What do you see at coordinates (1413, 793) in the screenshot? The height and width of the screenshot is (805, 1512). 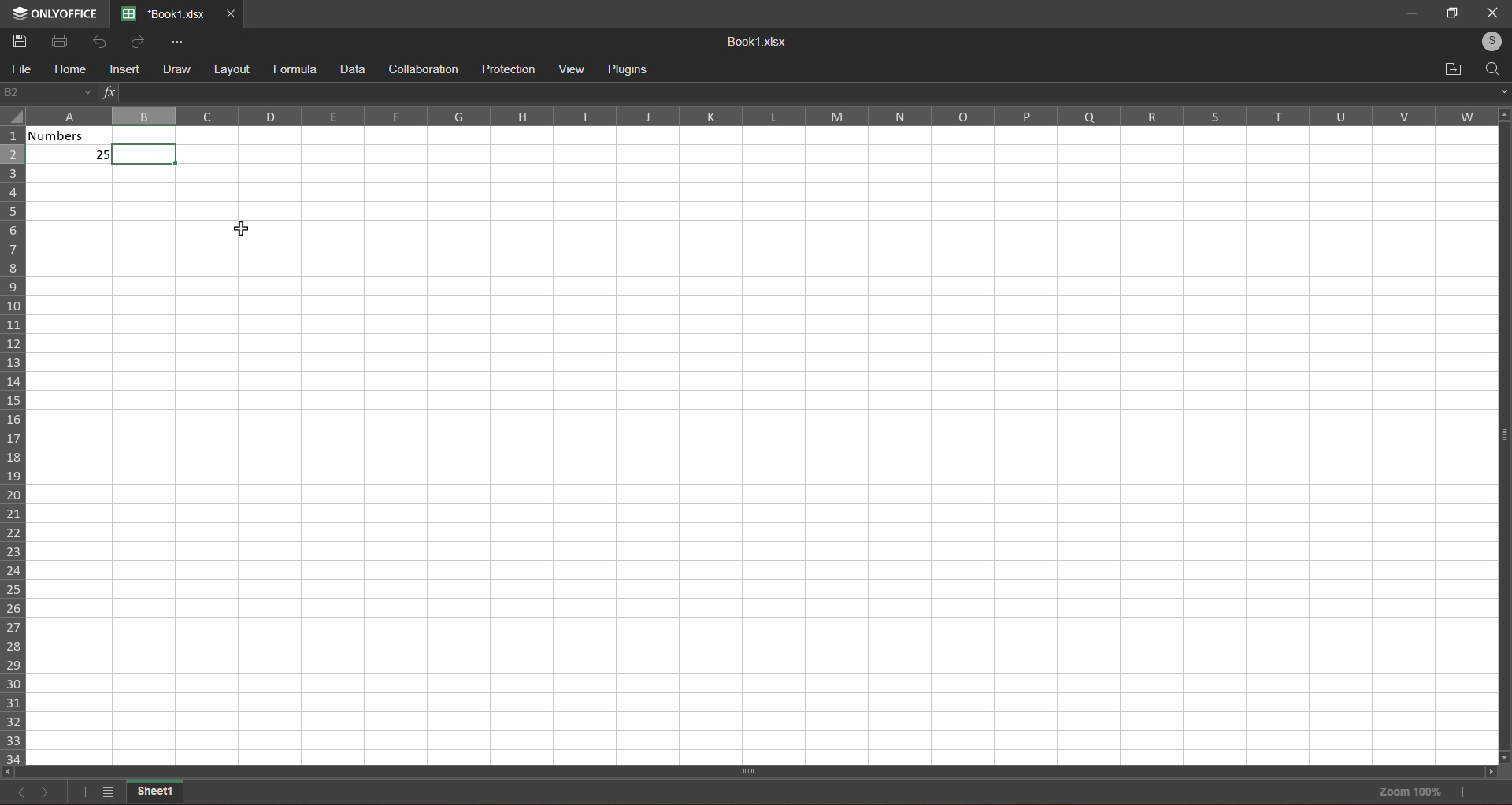 I see `zoom 100%` at bounding box center [1413, 793].